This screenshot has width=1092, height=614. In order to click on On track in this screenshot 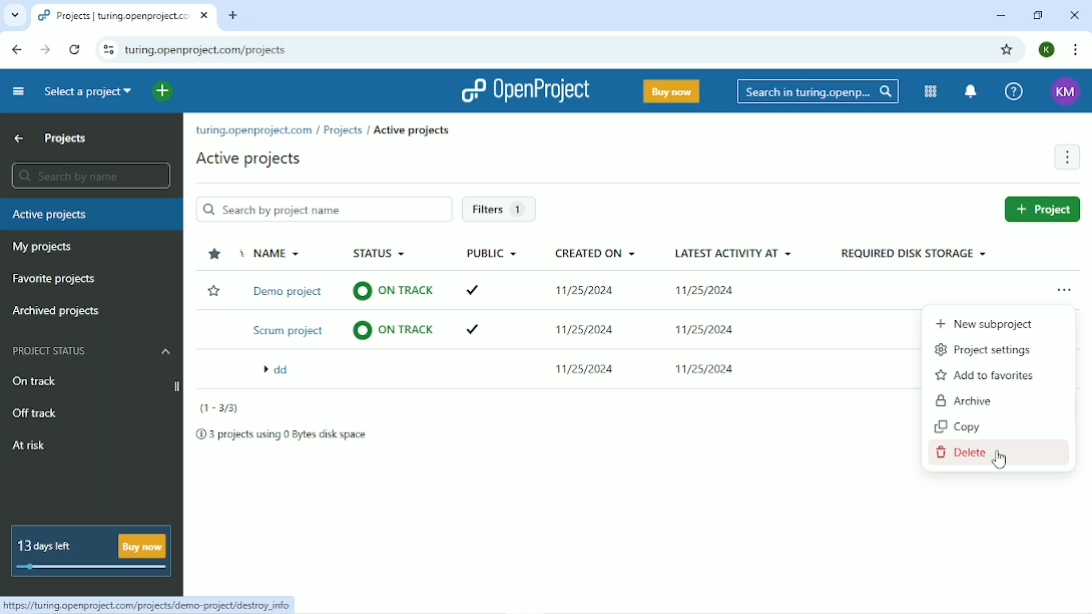, I will do `click(95, 383)`.